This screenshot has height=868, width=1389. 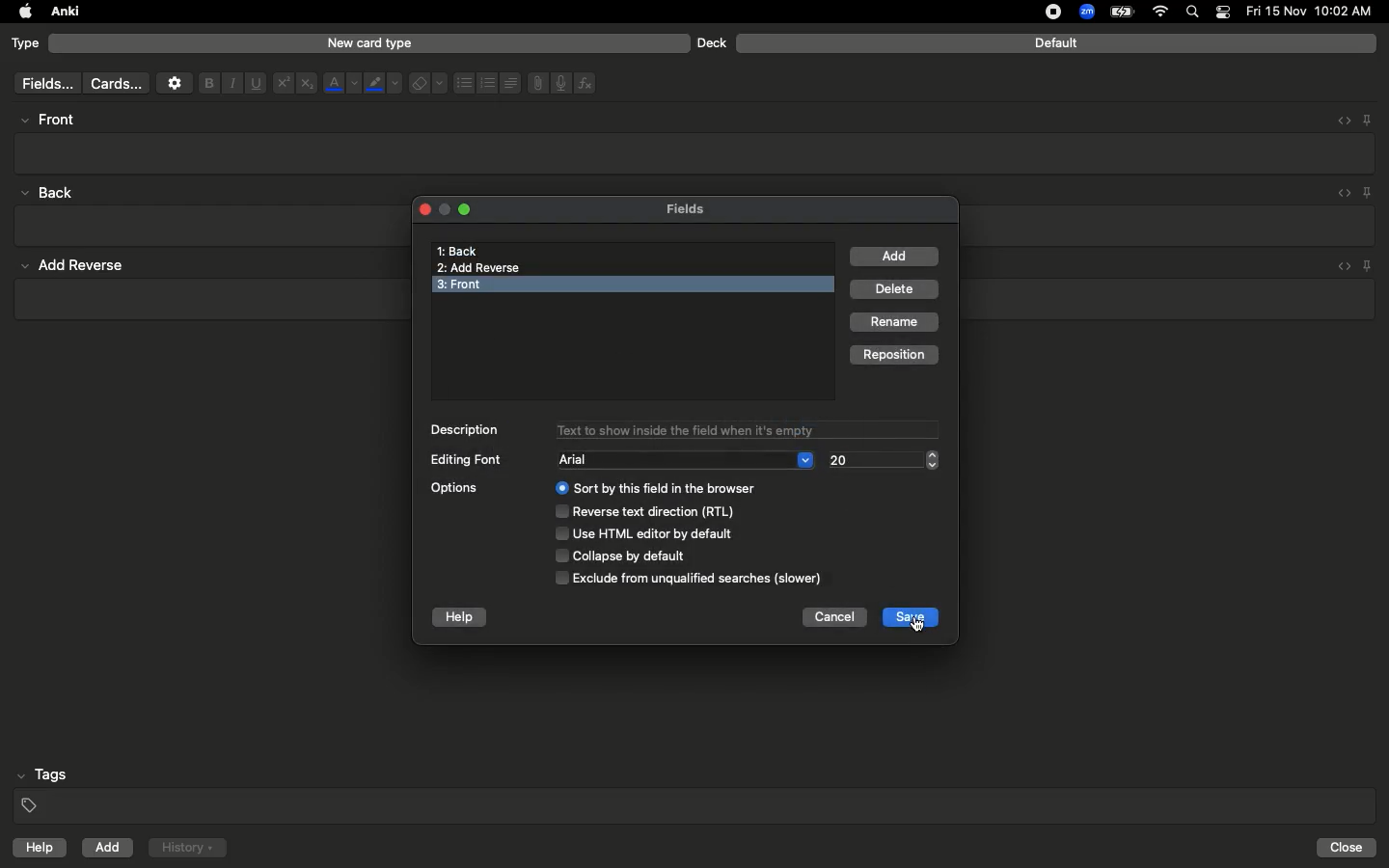 I want to click on Close, so click(x=422, y=208).